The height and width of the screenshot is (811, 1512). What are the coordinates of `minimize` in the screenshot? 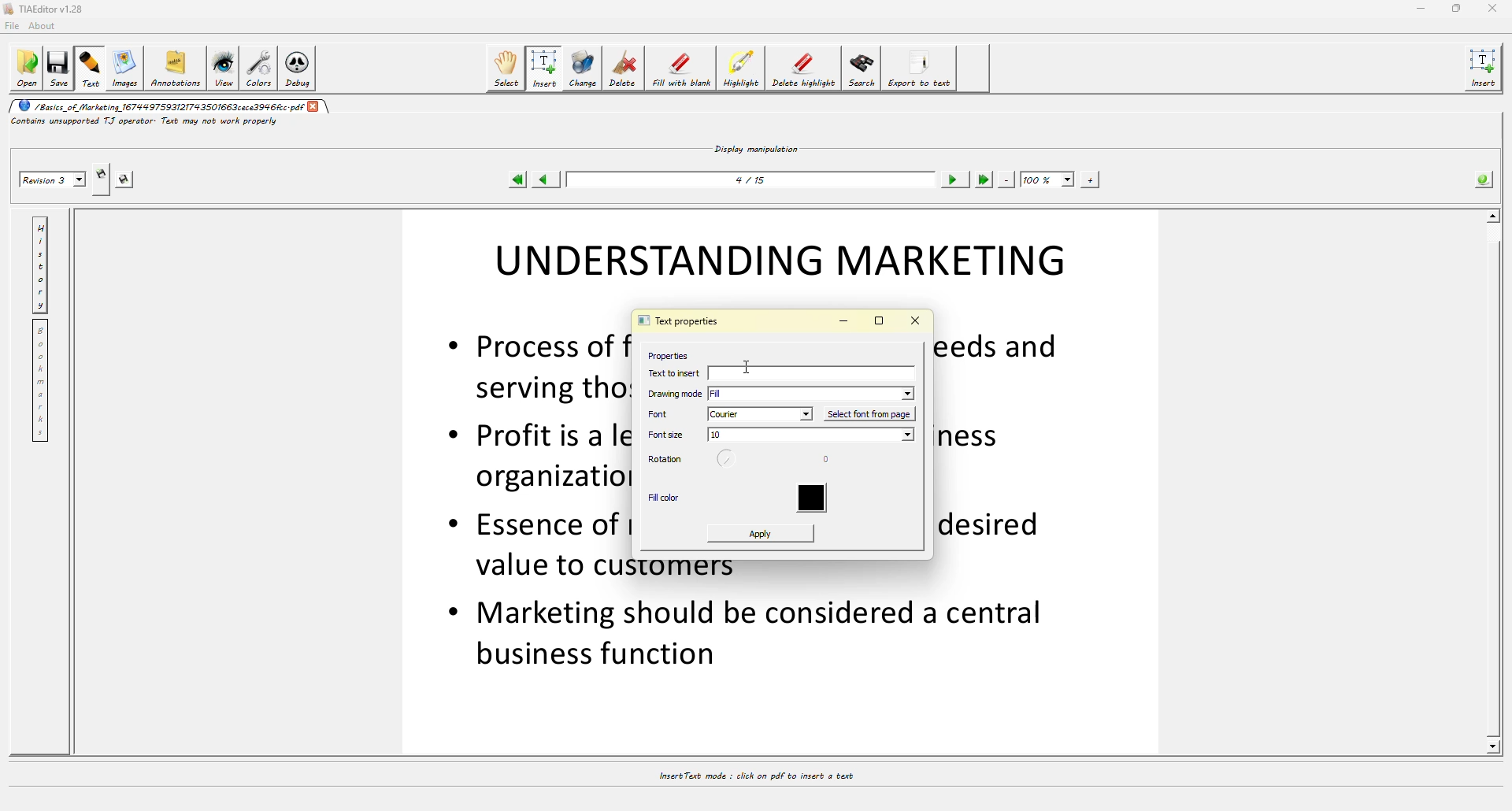 It's located at (1418, 9).